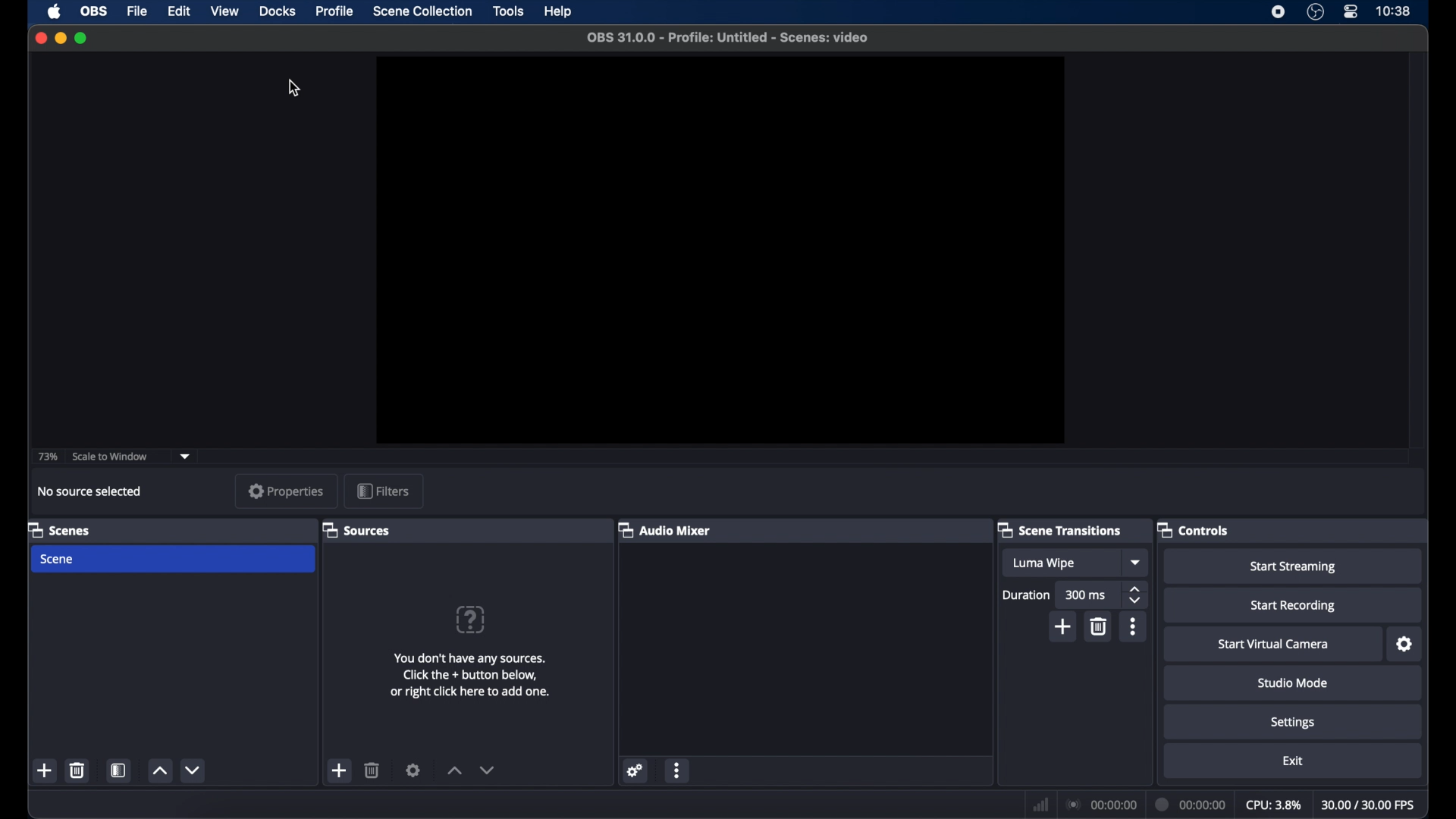  Describe the element at coordinates (559, 12) in the screenshot. I see `help` at that location.